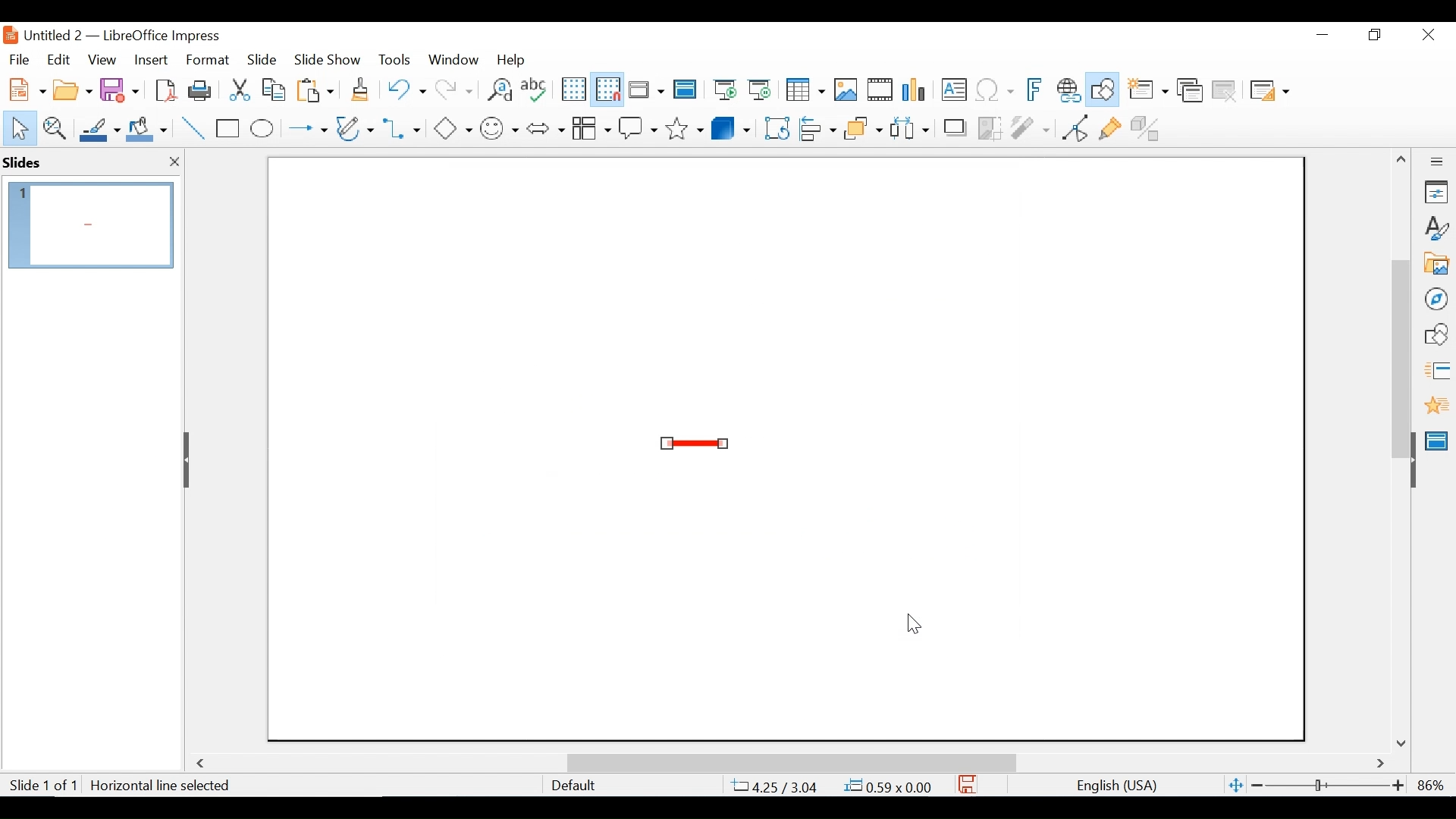 The image size is (1456, 819). What do you see at coordinates (1434, 785) in the screenshot?
I see `86%` at bounding box center [1434, 785].